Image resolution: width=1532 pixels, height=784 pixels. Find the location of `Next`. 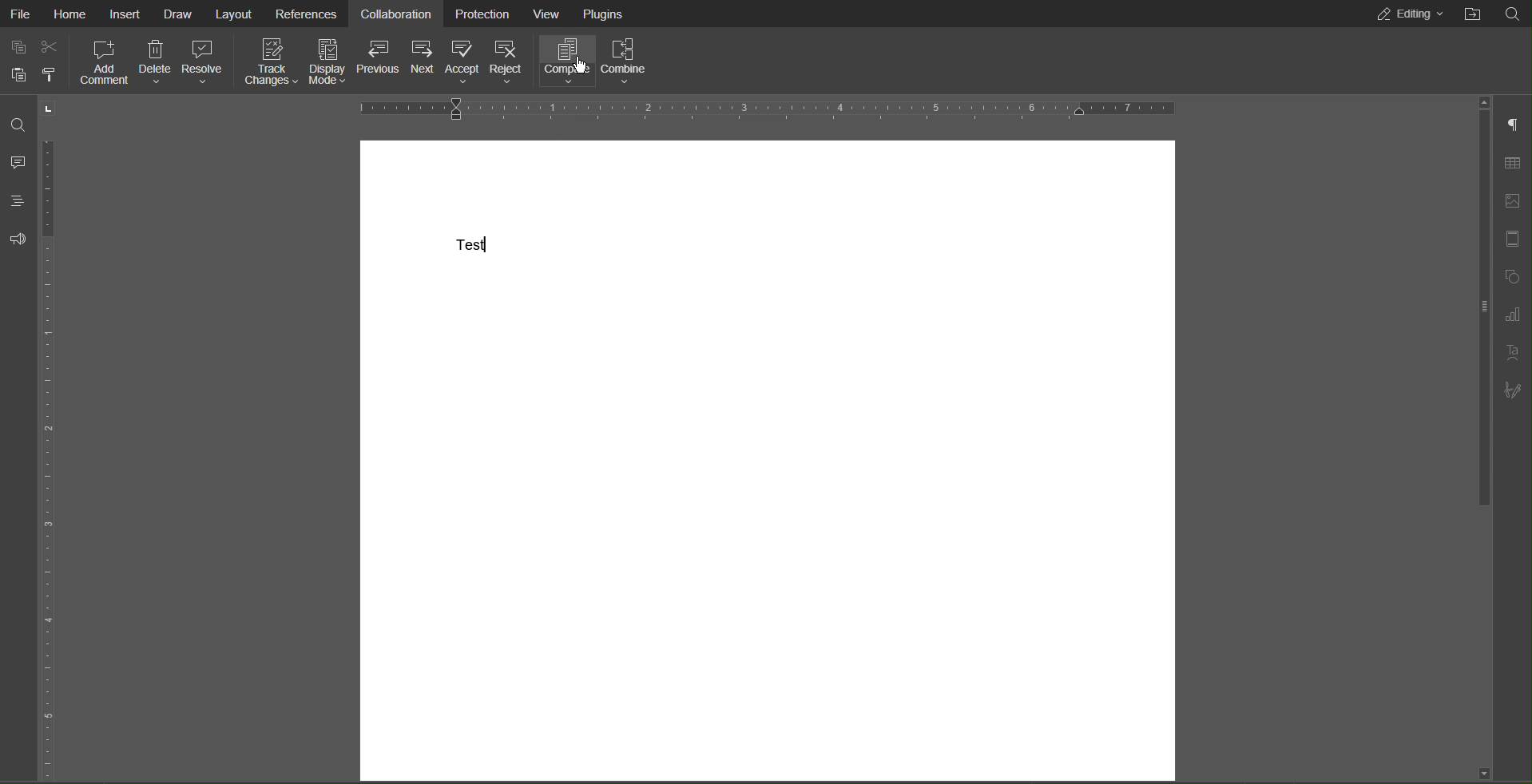

Next is located at coordinates (423, 56).